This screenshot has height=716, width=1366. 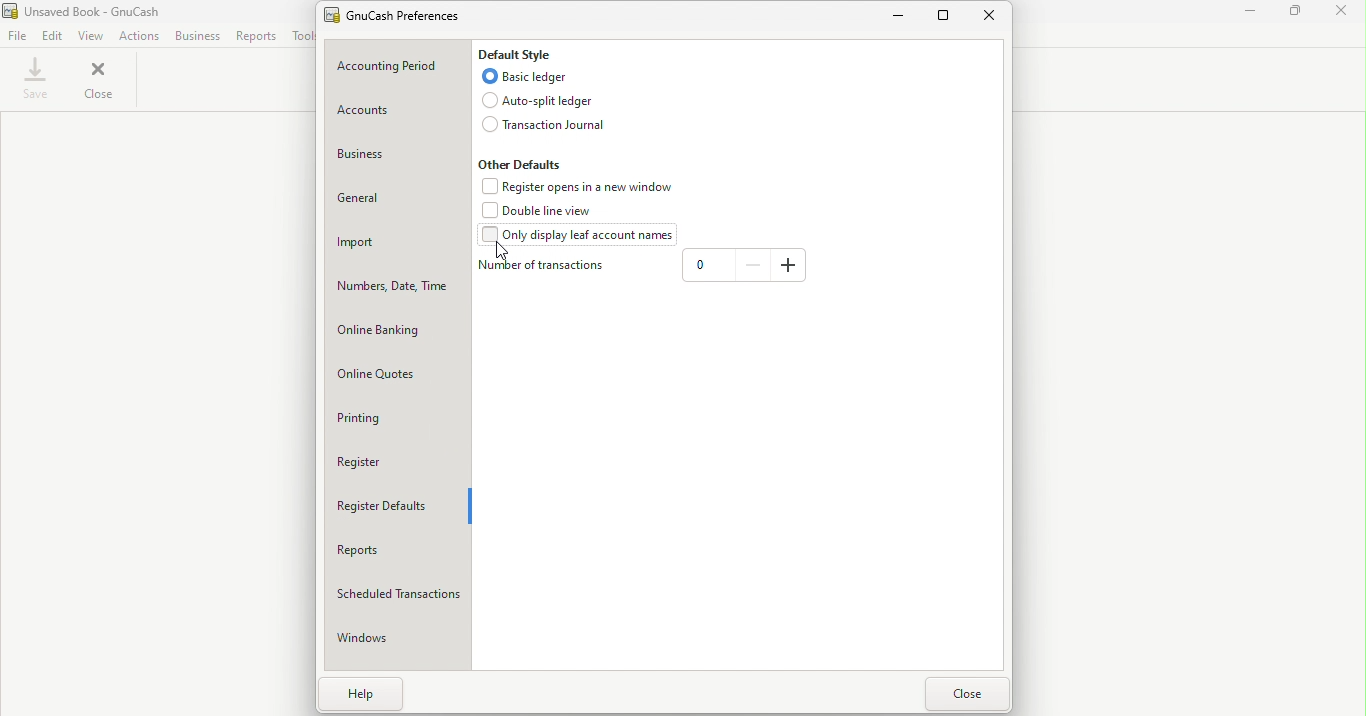 What do you see at coordinates (395, 503) in the screenshot?
I see `Register defaults` at bounding box center [395, 503].